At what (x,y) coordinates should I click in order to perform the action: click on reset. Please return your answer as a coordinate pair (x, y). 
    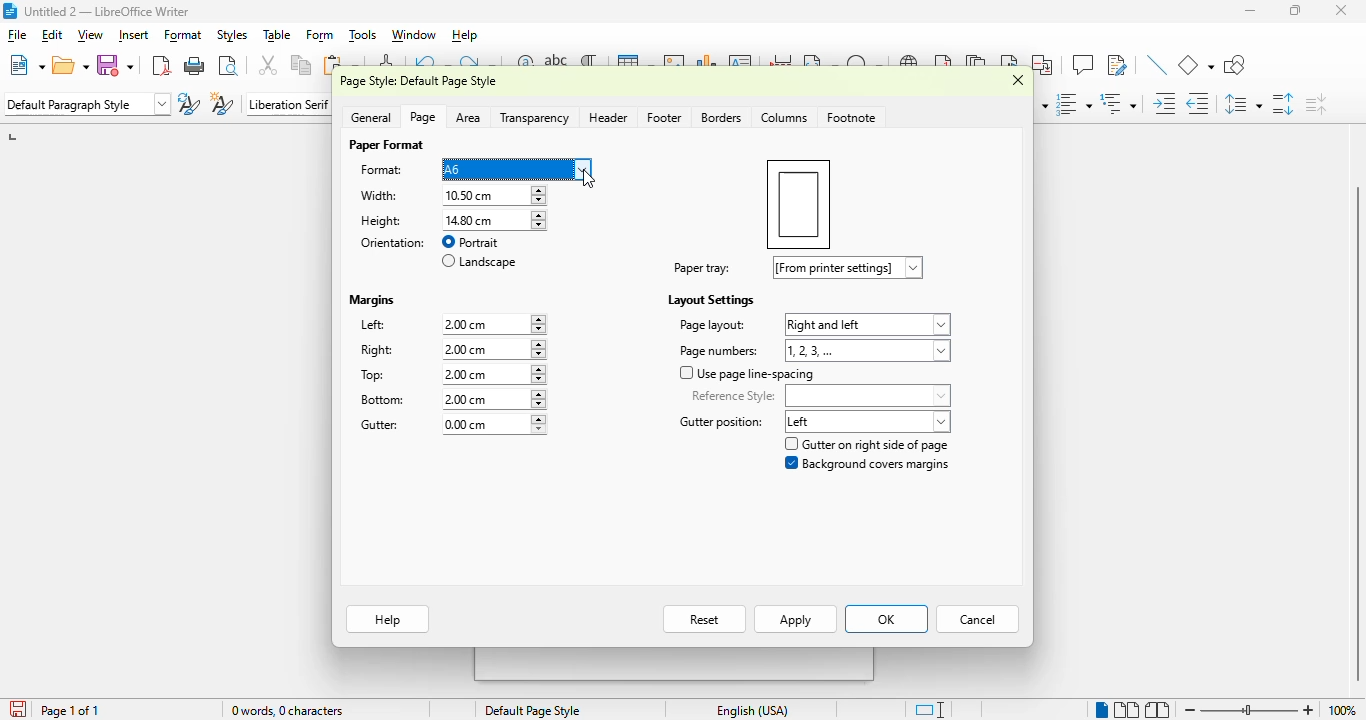
    Looking at the image, I should click on (705, 619).